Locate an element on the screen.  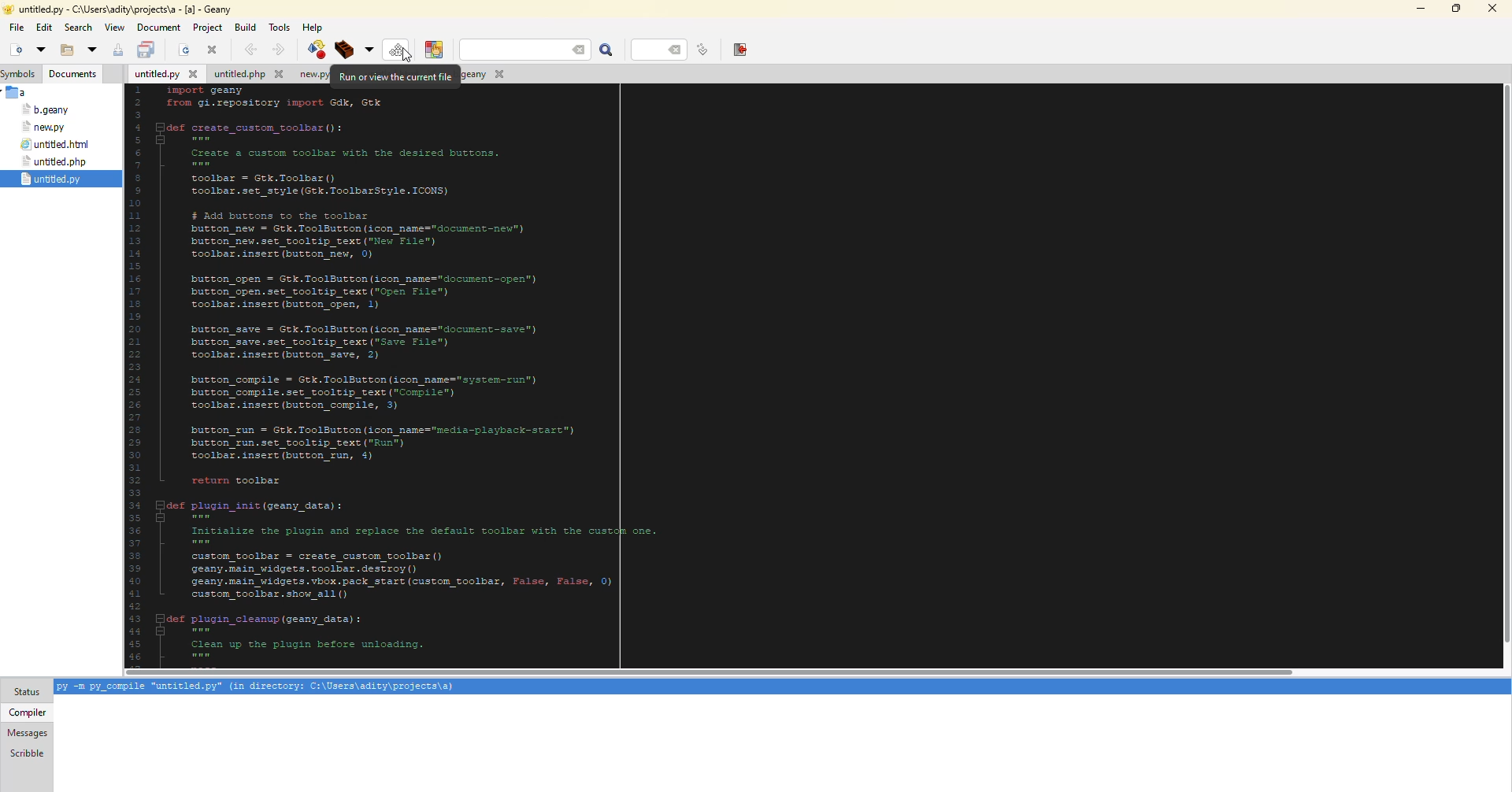
new is located at coordinates (15, 50).